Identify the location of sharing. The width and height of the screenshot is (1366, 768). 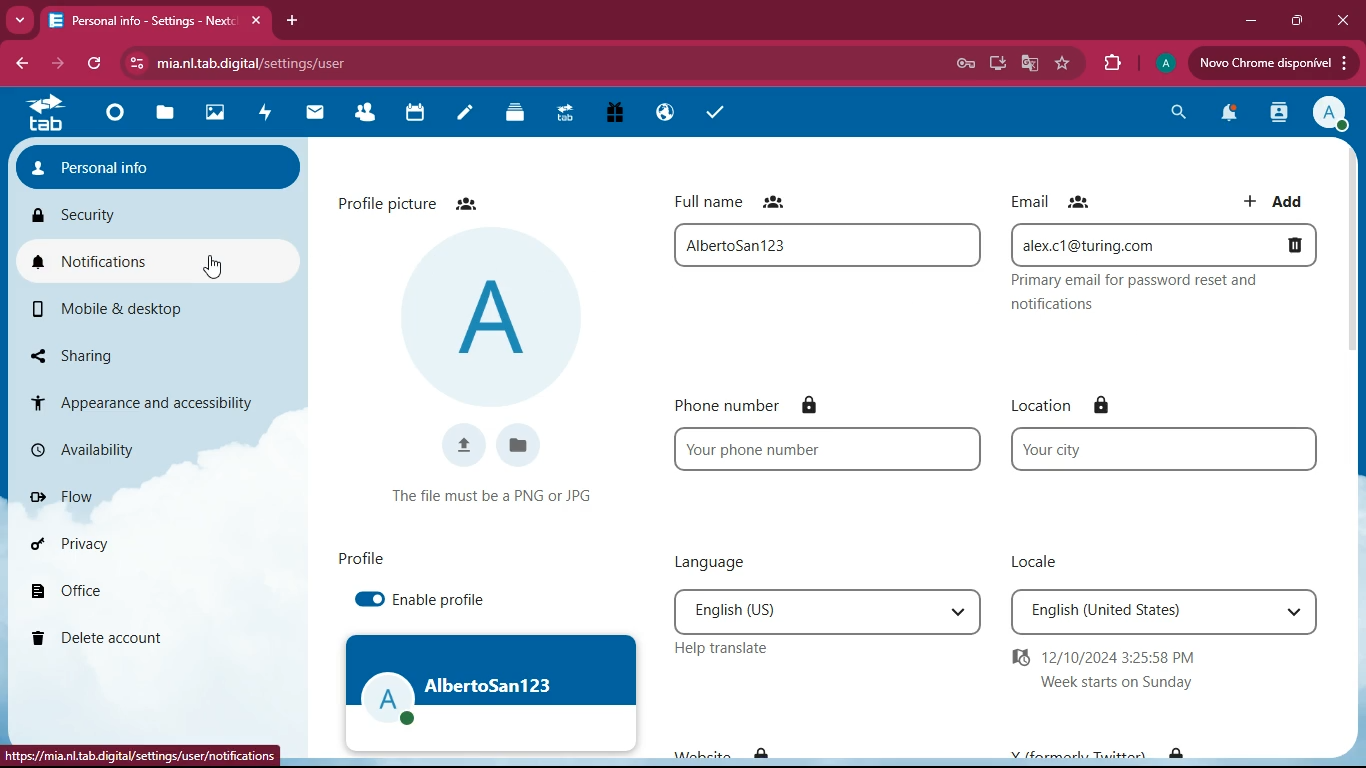
(132, 351).